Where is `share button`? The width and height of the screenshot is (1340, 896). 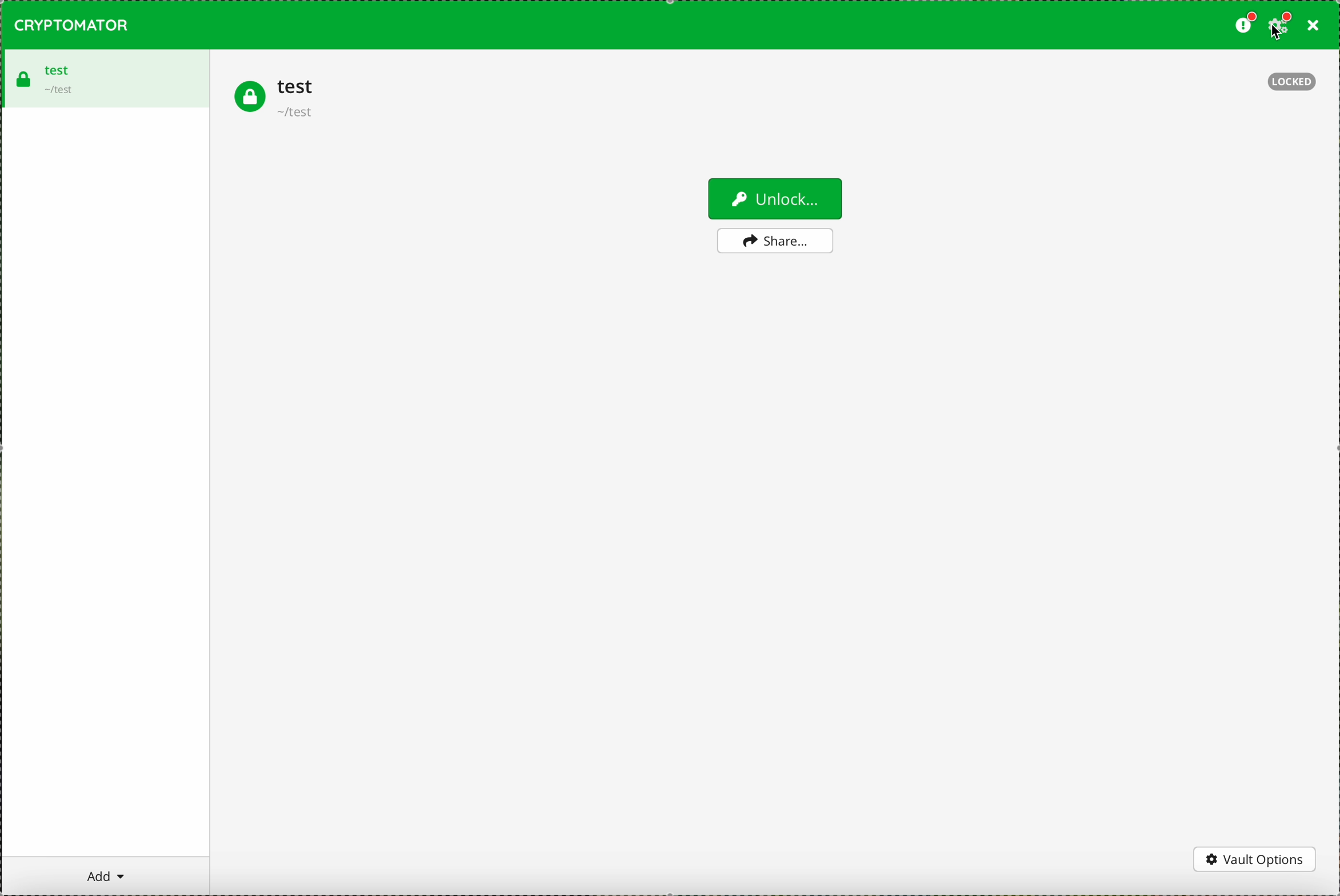
share button is located at coordinates (775, 241).